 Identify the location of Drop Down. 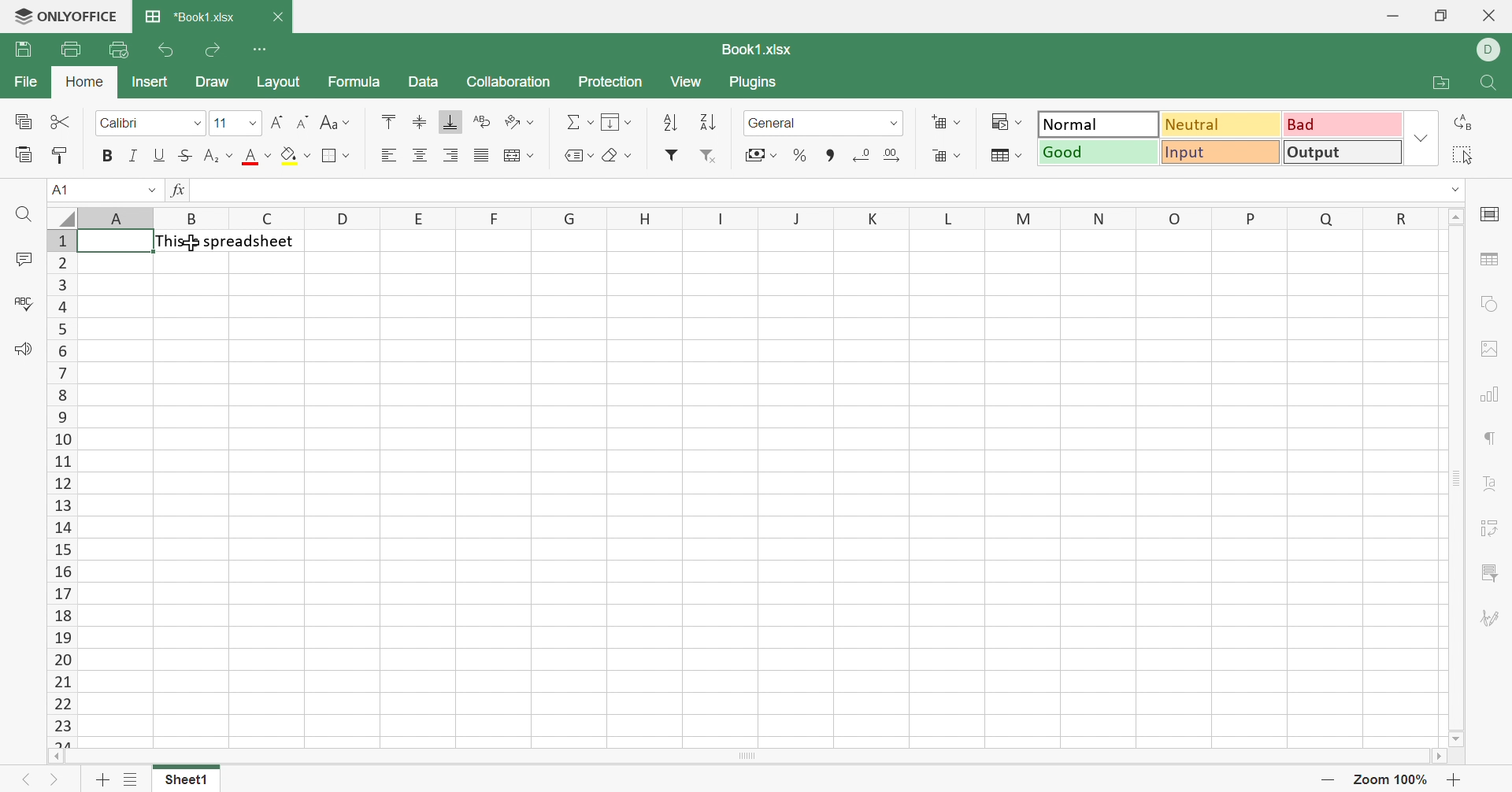
(532, 156).